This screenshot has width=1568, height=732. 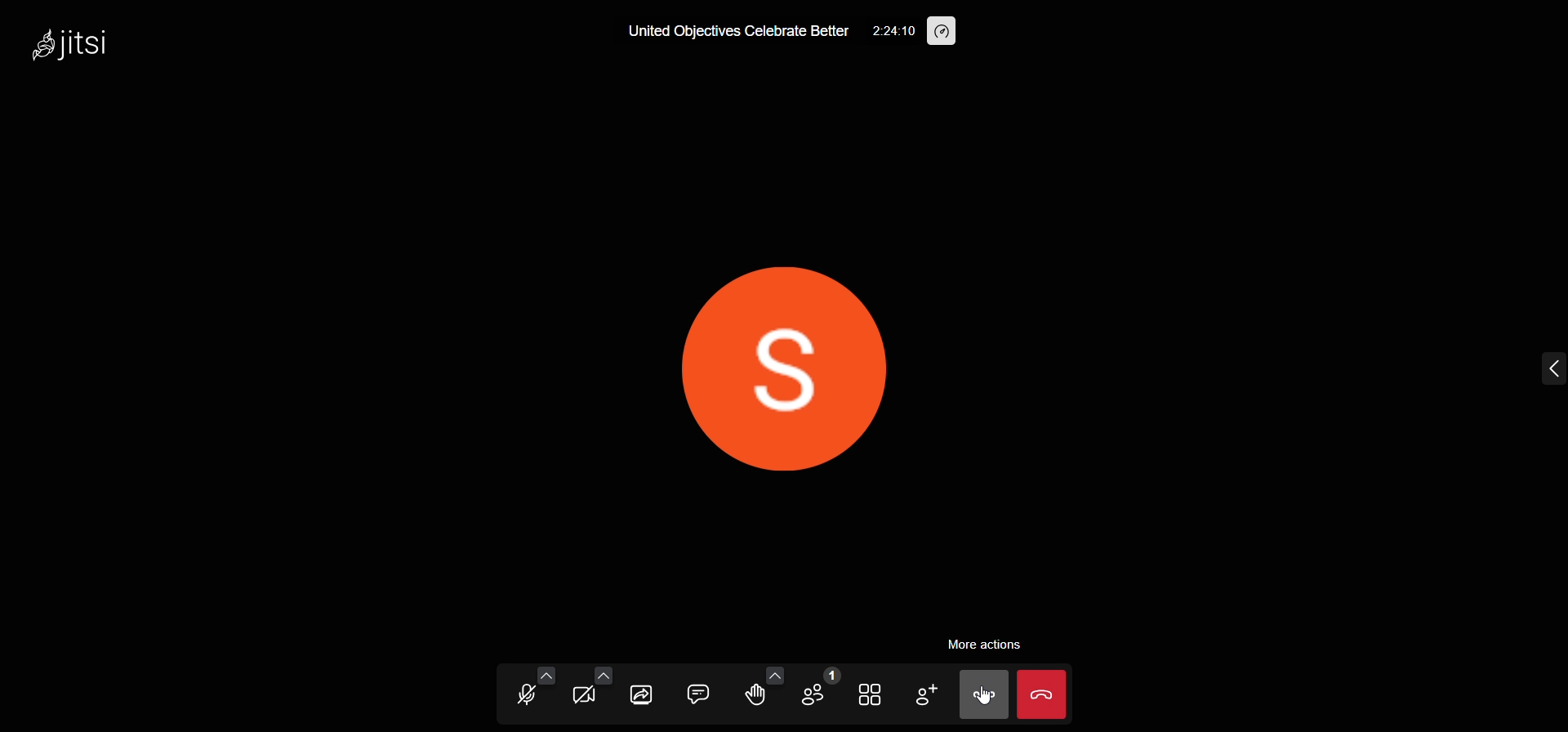 What do you see at coordinates (987, 645) in the screenshot?
I see `more action` at bounding box center [987, 645].